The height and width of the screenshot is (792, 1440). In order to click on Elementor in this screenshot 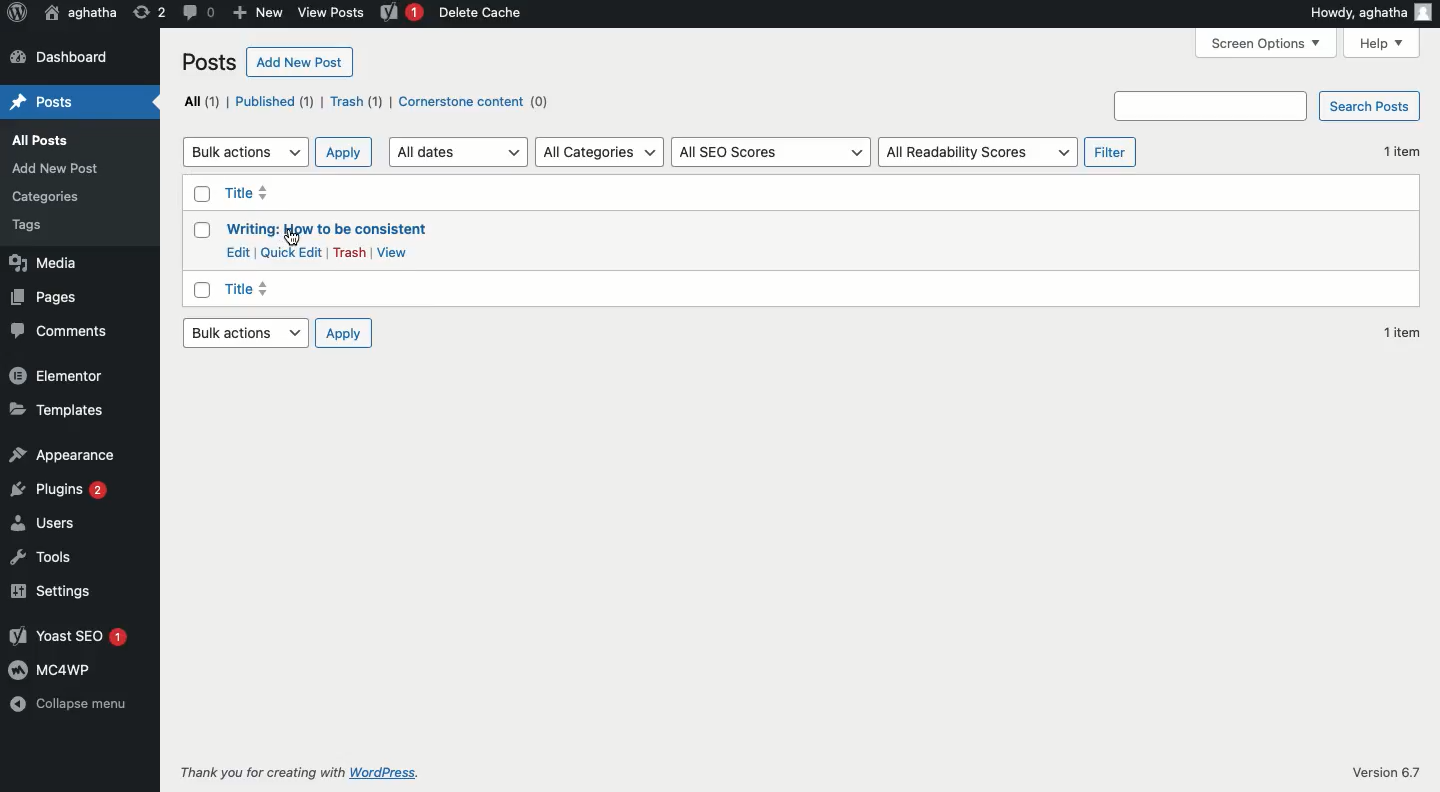, I will do `click(56, 373)`.